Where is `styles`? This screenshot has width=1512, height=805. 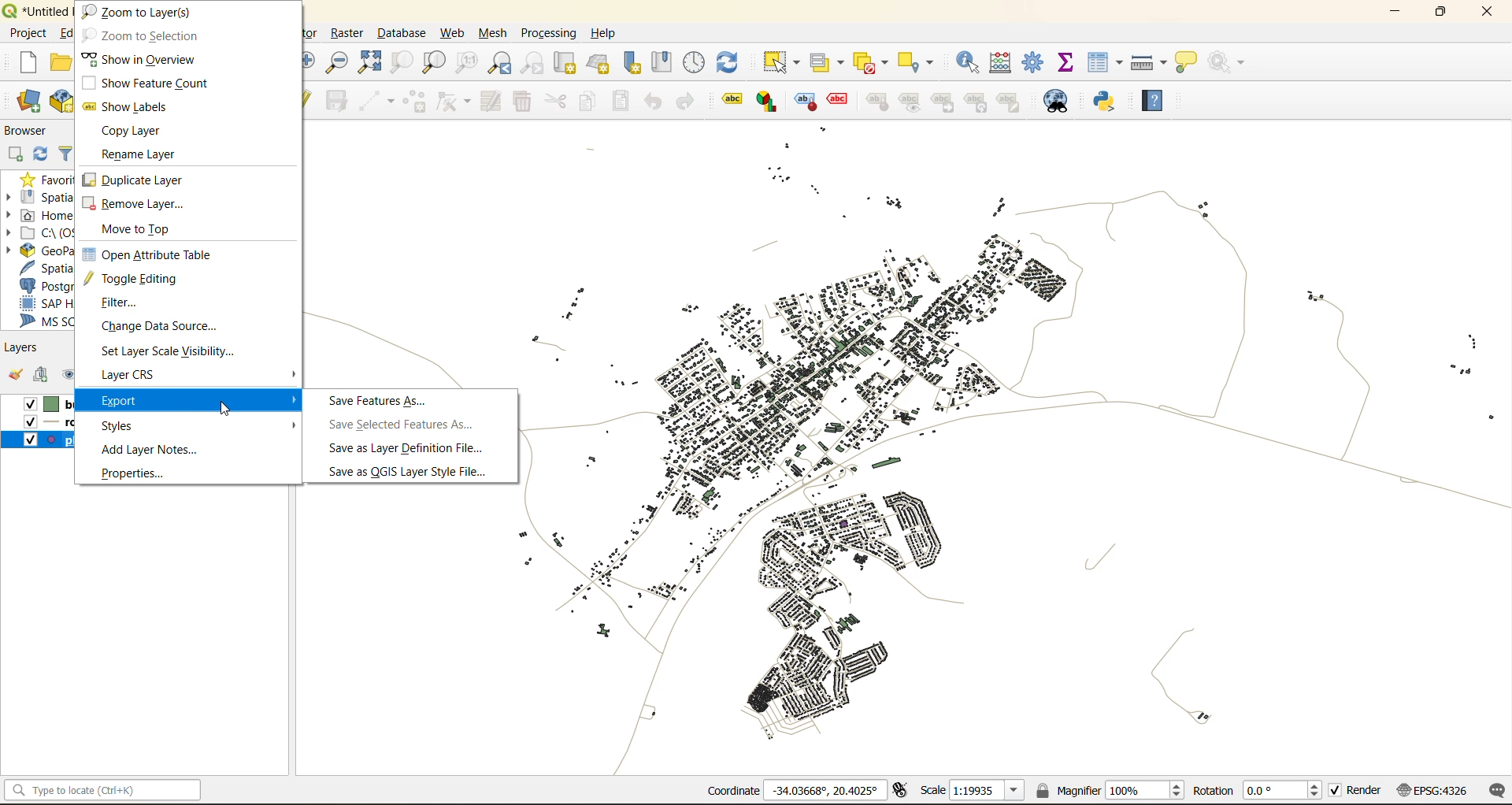 styles is located at coordinates (197, 425).